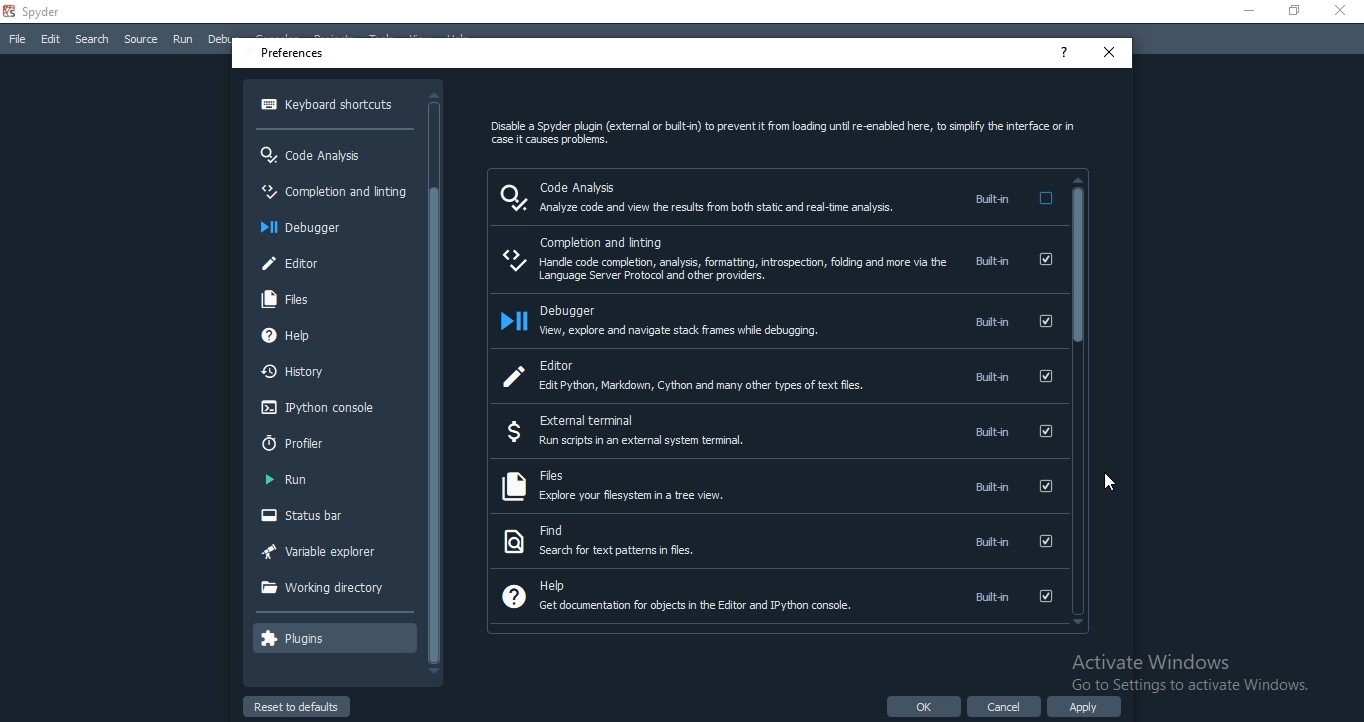 The height and width of the screenshot is (722, 1364). I want to click on status bar, so click(330, 517).